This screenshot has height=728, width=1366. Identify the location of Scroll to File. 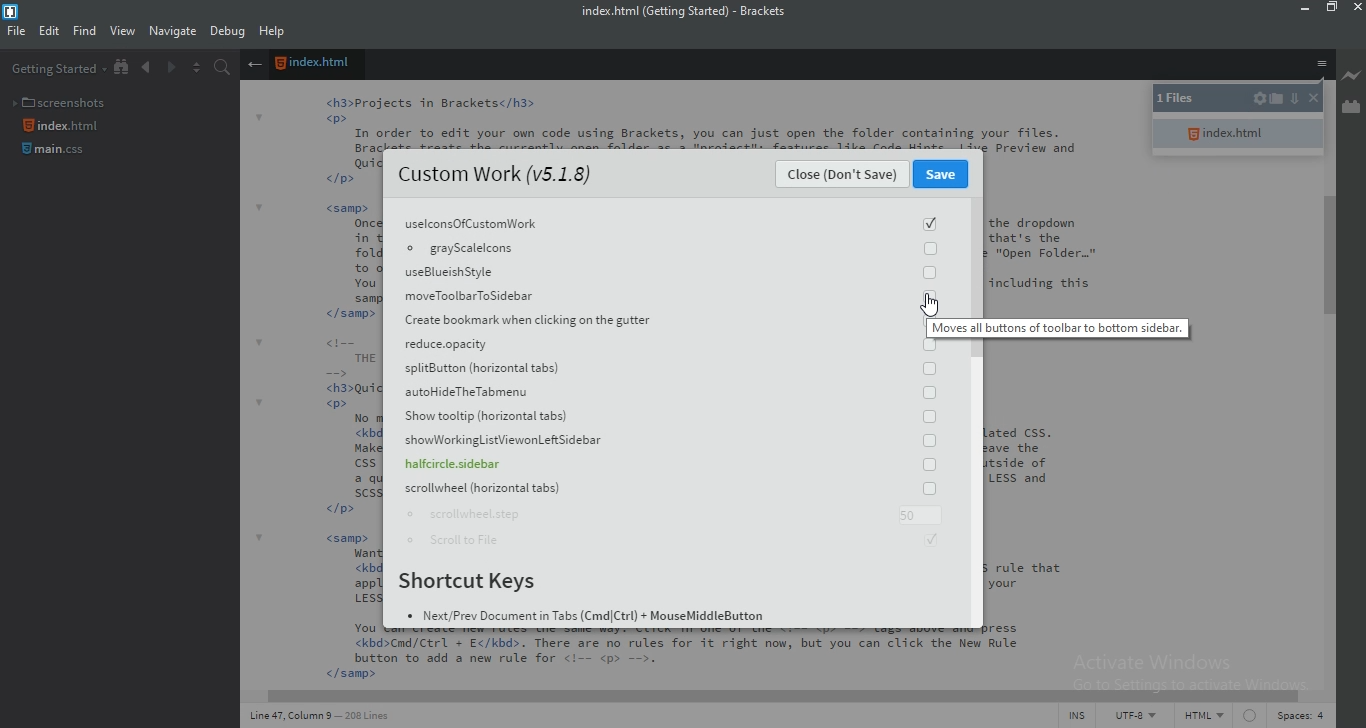
(678, 544).